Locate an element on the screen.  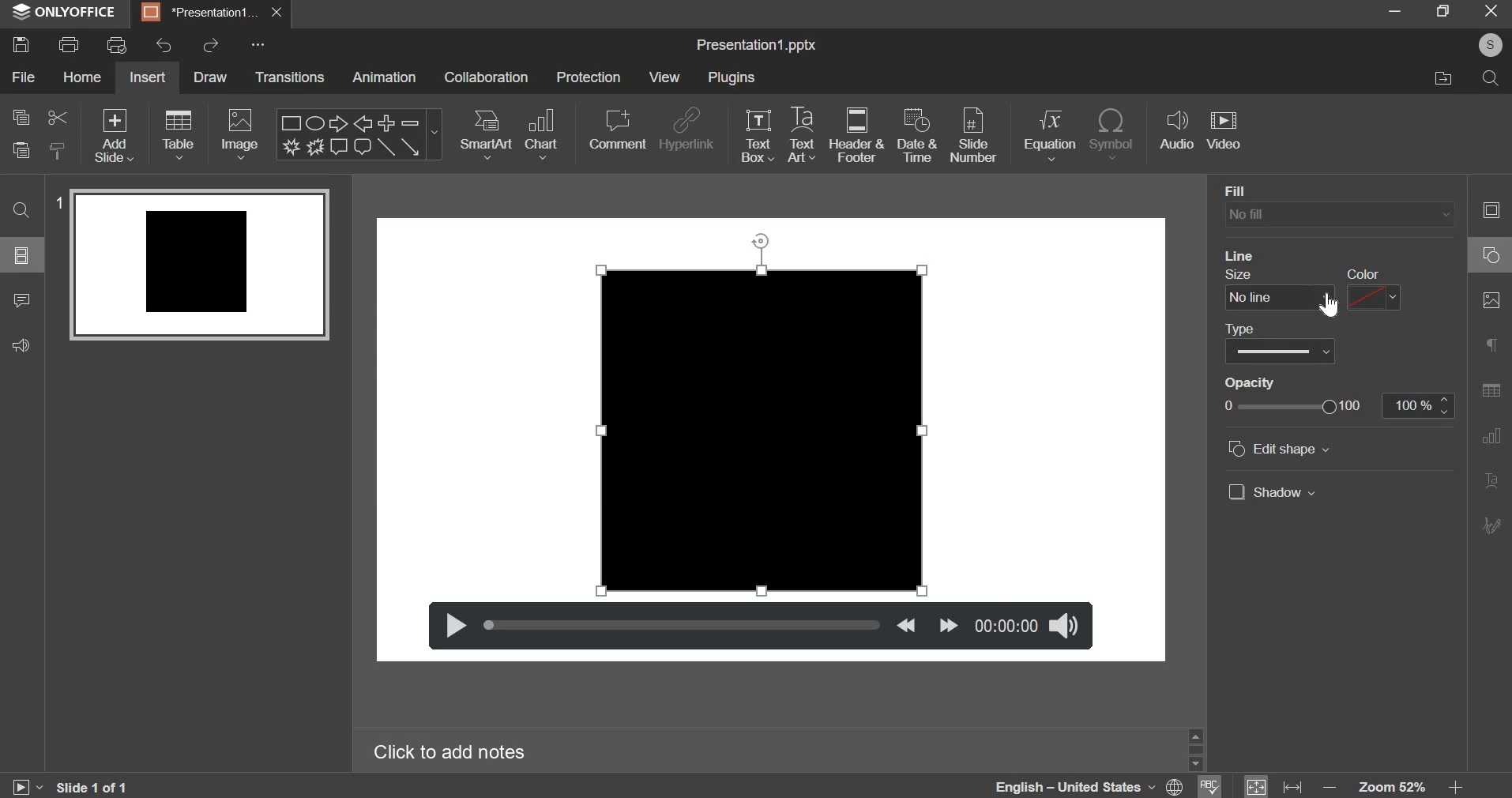
play is located at coordinates (451, 623).